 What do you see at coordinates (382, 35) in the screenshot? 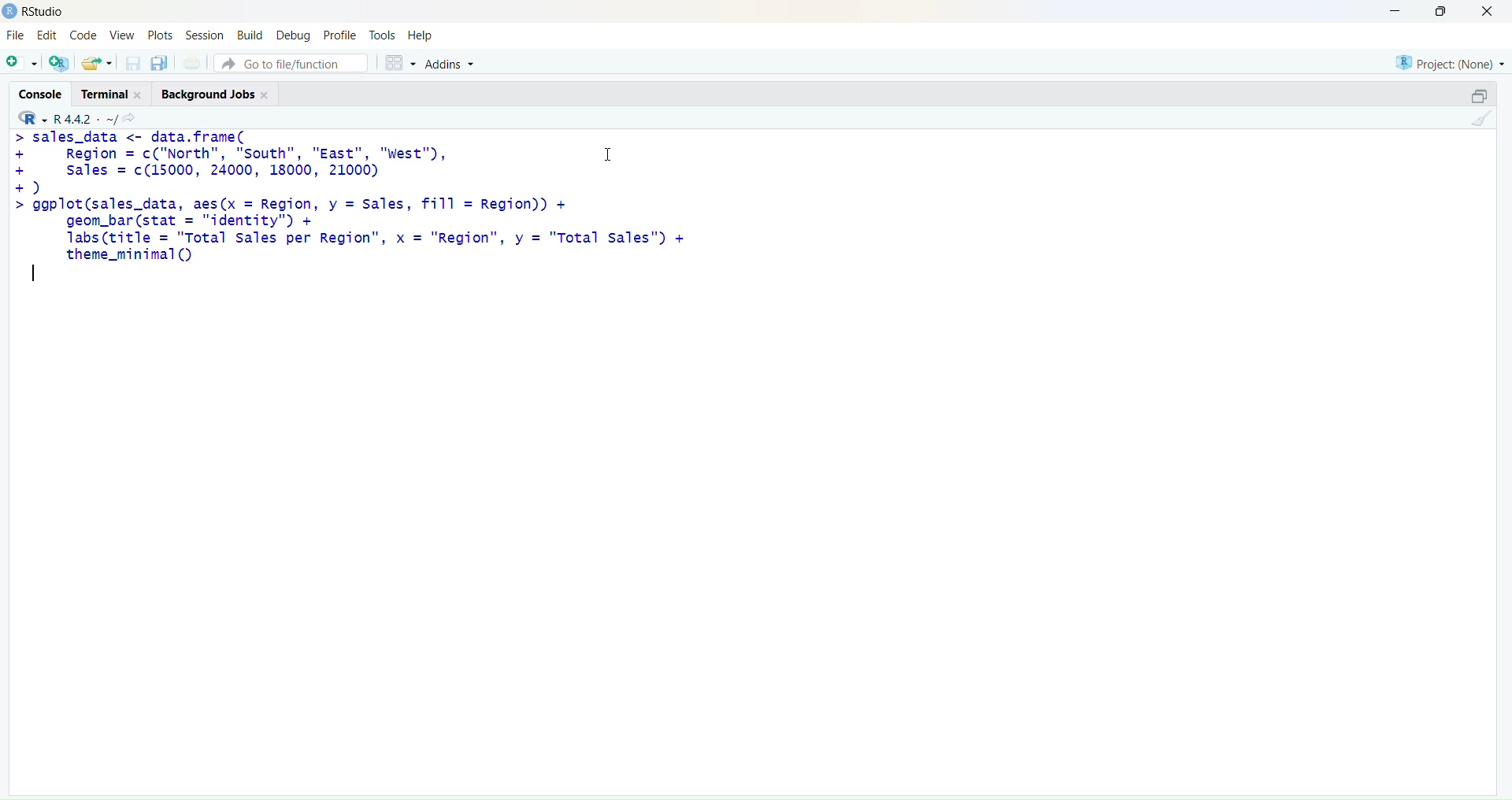
I see `tools` at bounding box center [382, 35].